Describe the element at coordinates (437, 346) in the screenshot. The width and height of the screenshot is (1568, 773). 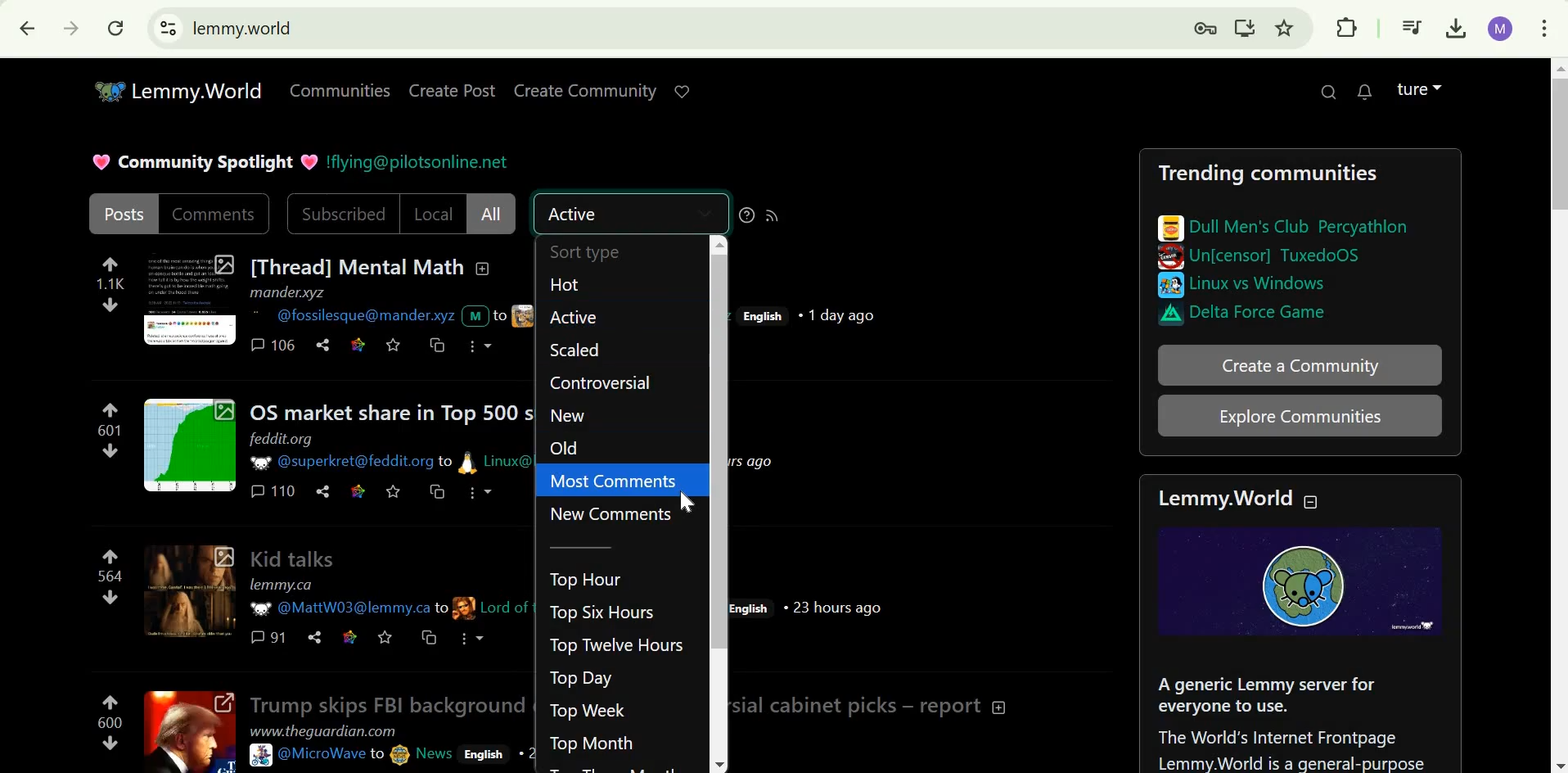
I see `cross-post` at that location.